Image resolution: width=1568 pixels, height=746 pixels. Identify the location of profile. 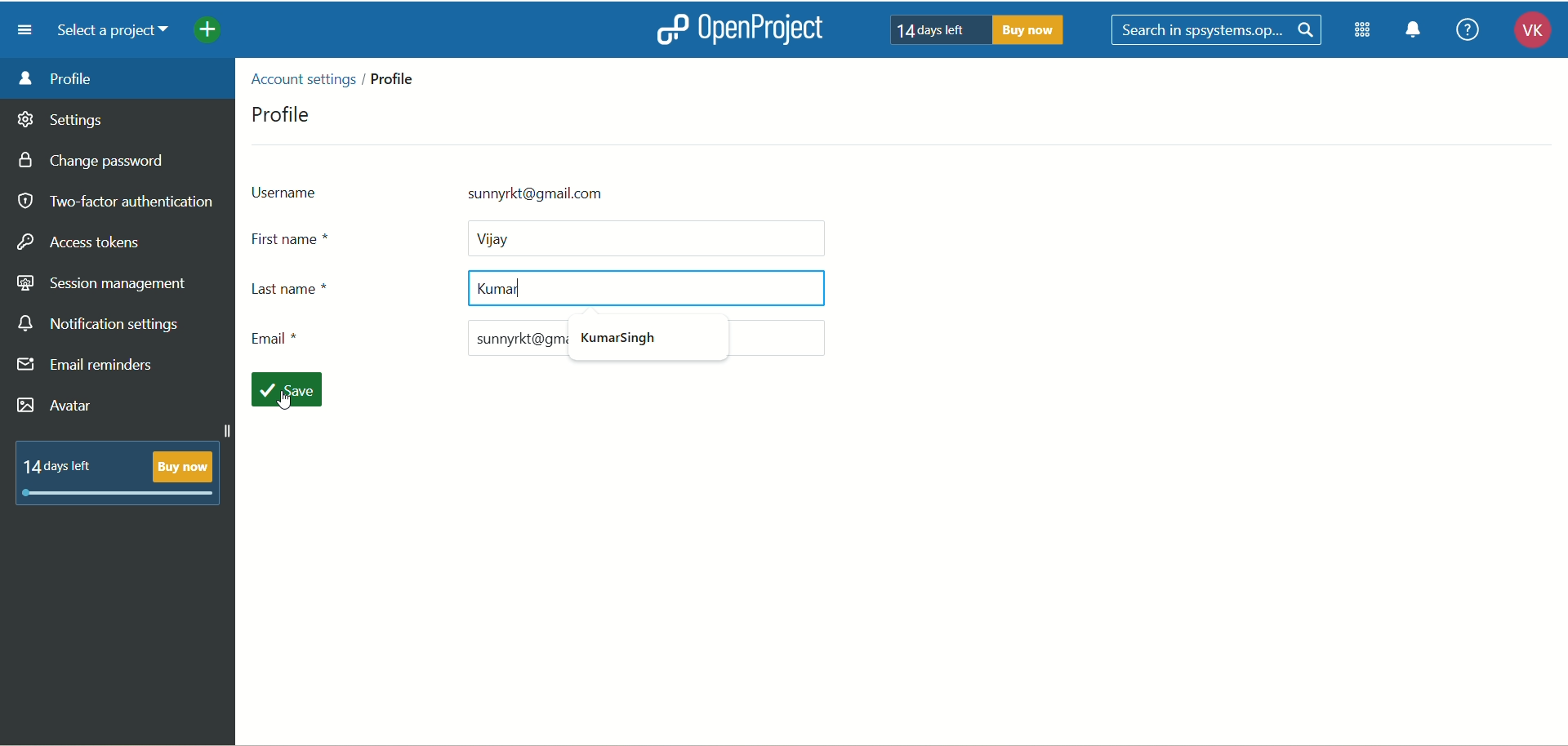
(283, 113).